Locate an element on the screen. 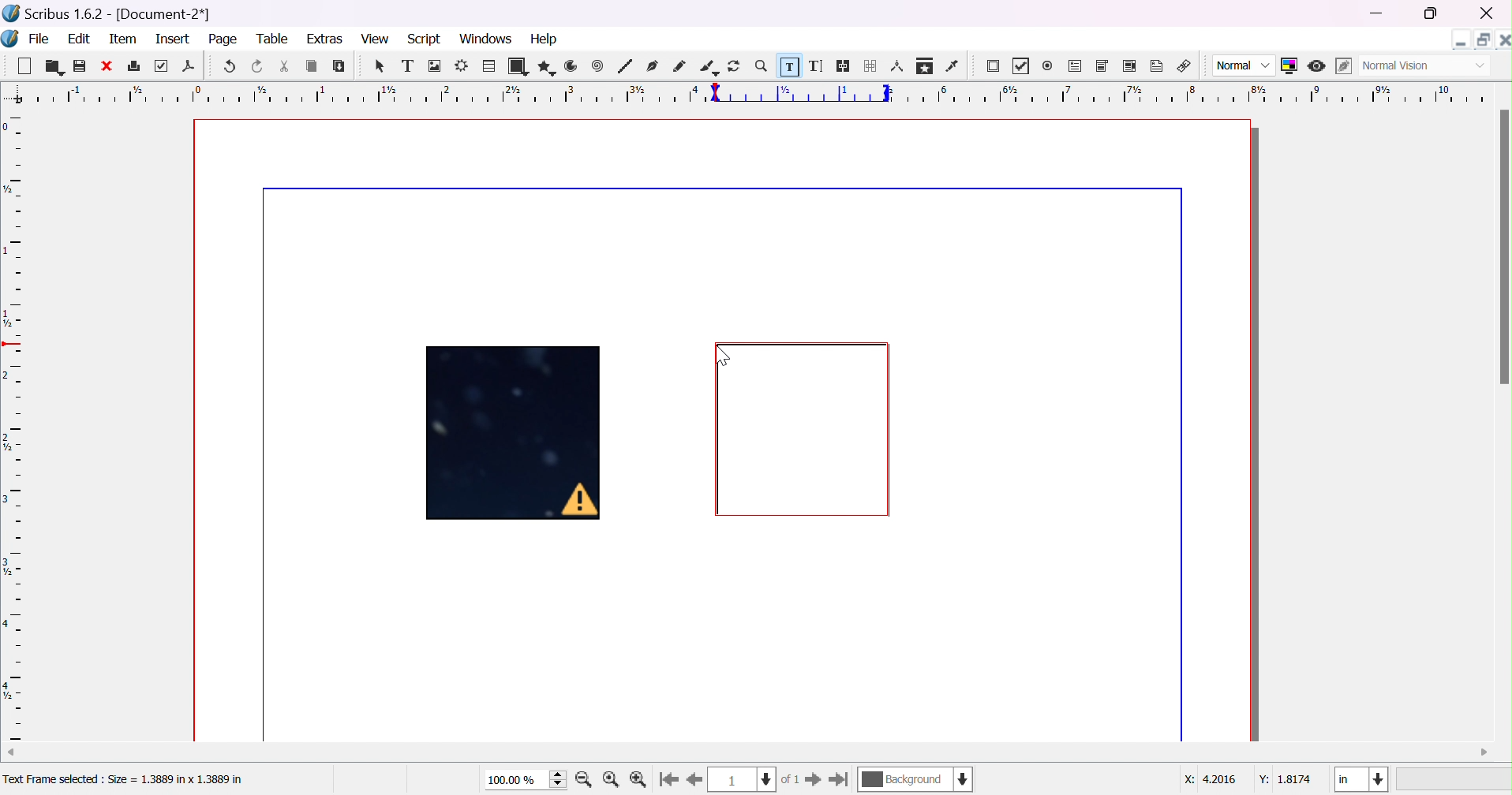  text frame is located at coordinates (407, 66).